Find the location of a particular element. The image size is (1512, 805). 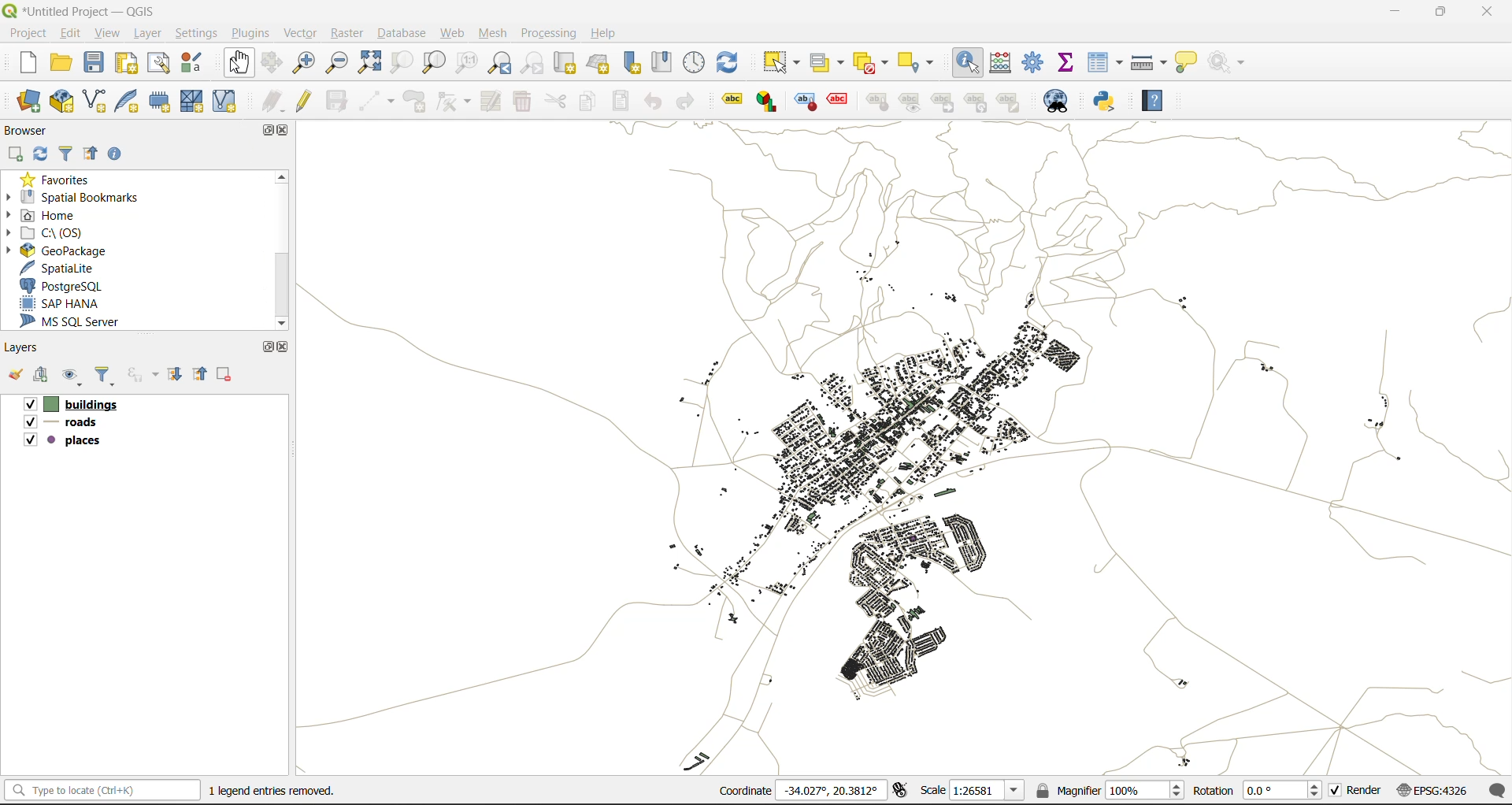

plugins is located at coordinates (248, 32).